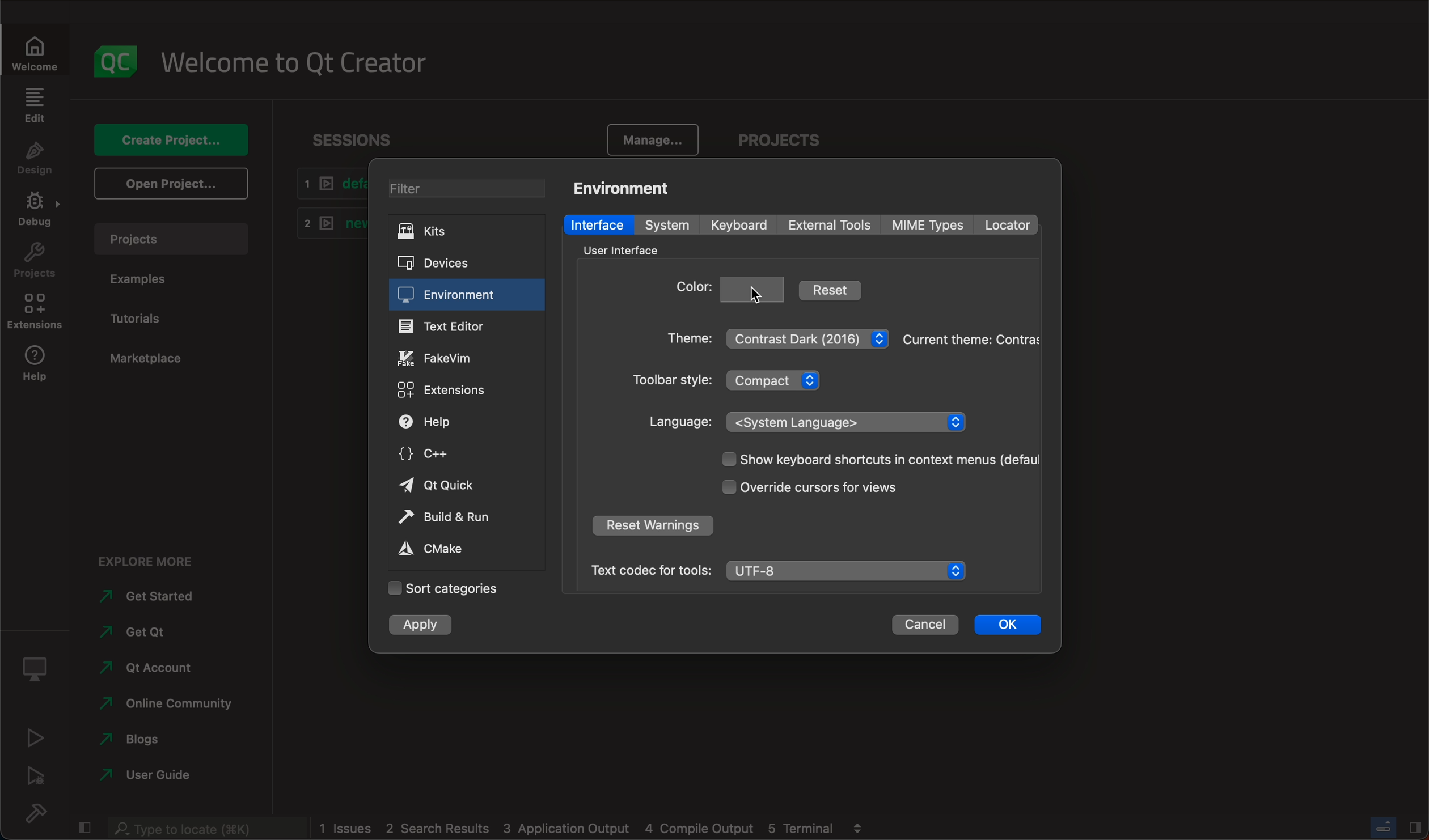  What do you see at coordinates (169, 183) in the screenshot?
I see `open` at bounding box center [169, 183].